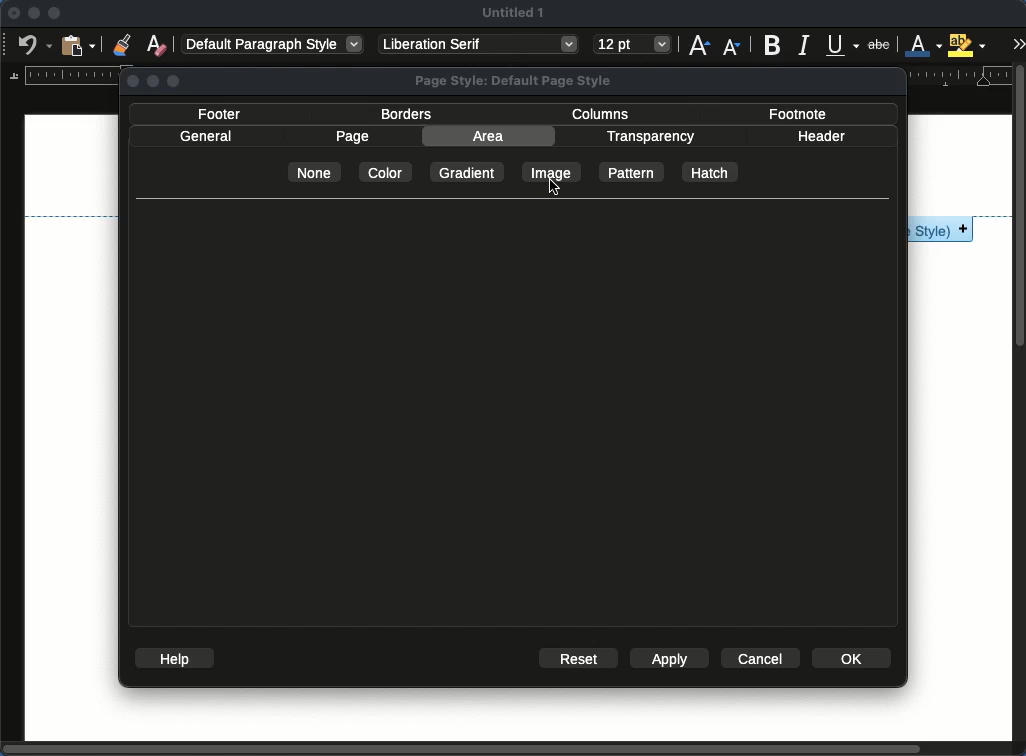  What do you see at coordinates (878, 44) in the screenshot?
I see `strikethrough` at bounding box center [878, 44].